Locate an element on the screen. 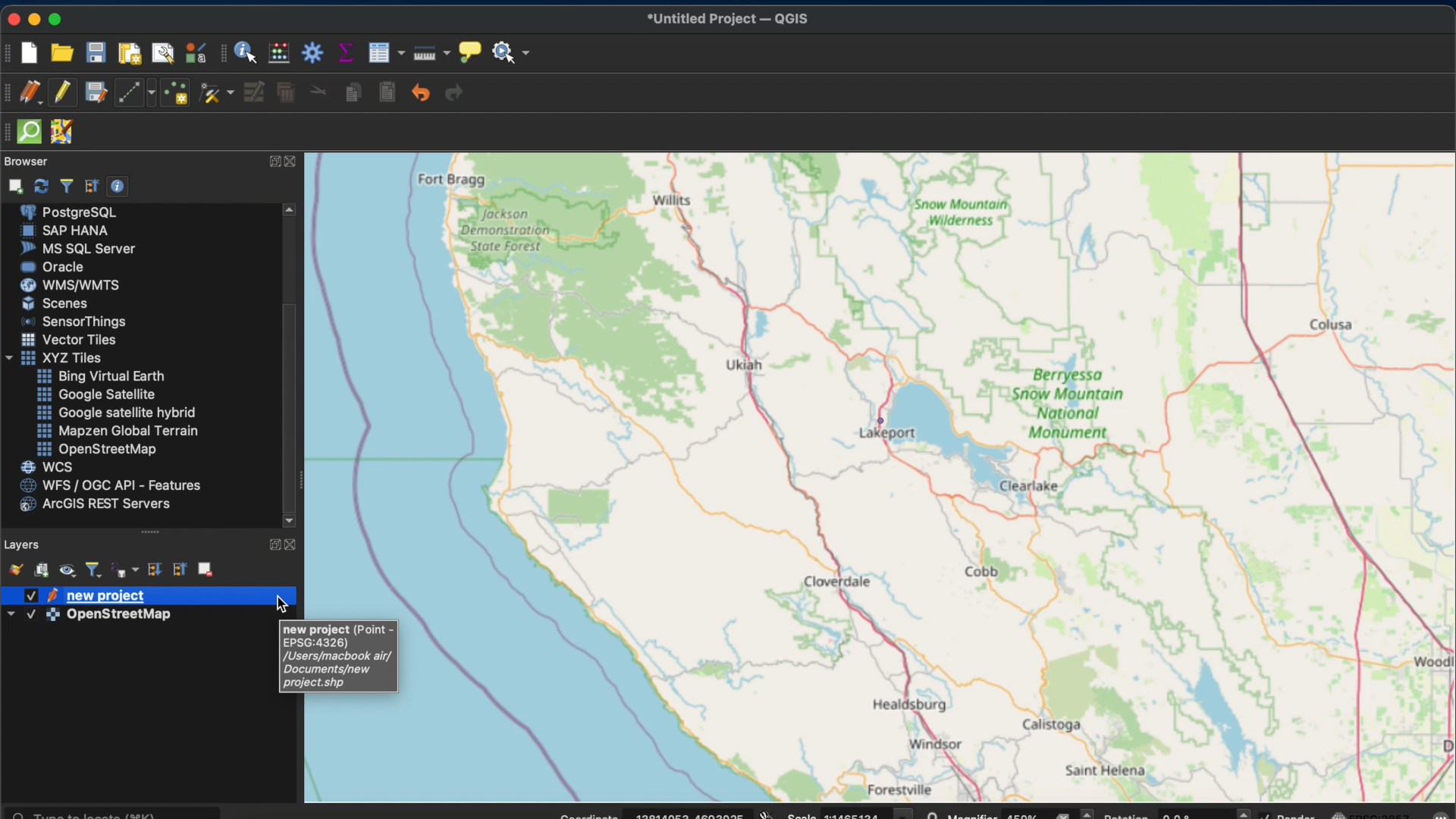 The height and width of the screenshot is (819, 1456). copy features is located at coordinates (356, 93).